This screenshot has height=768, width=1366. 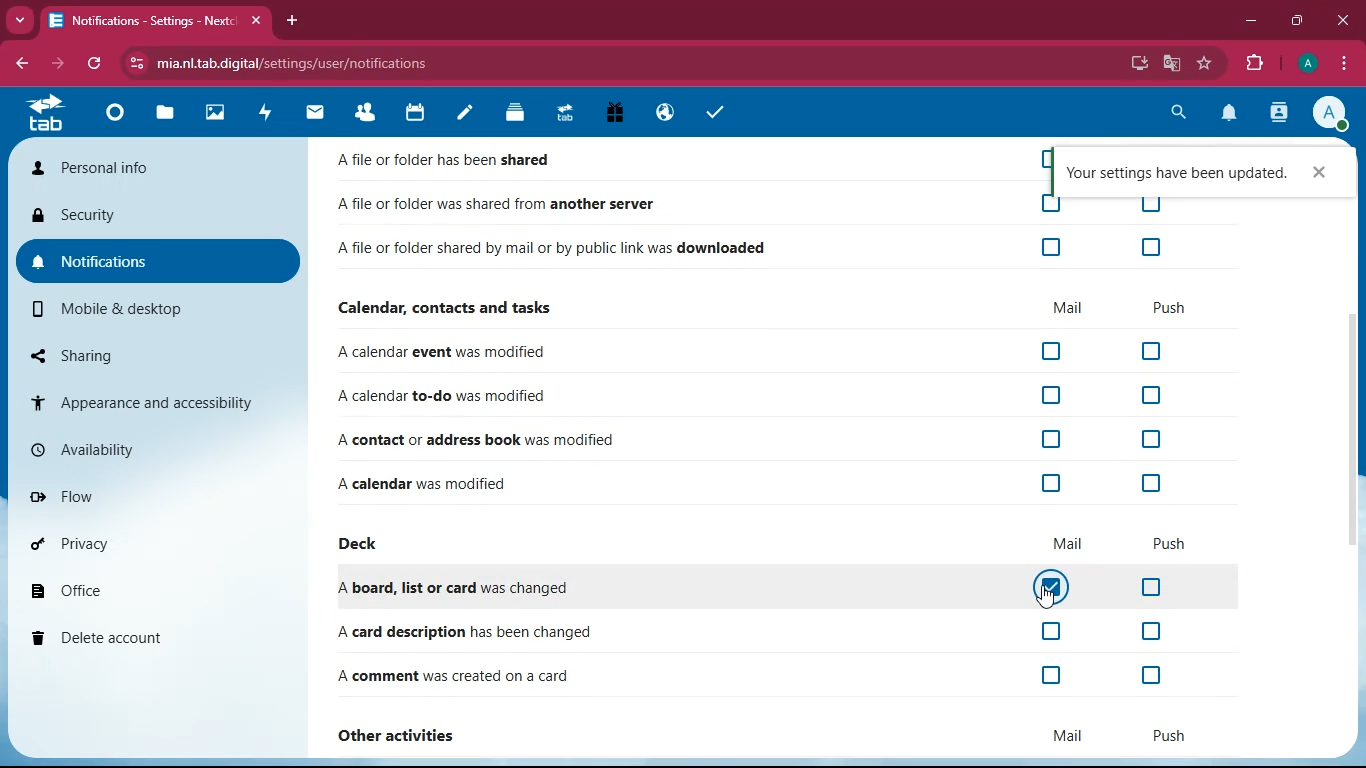 I want to click on calendar, so click(x=415, y=115).